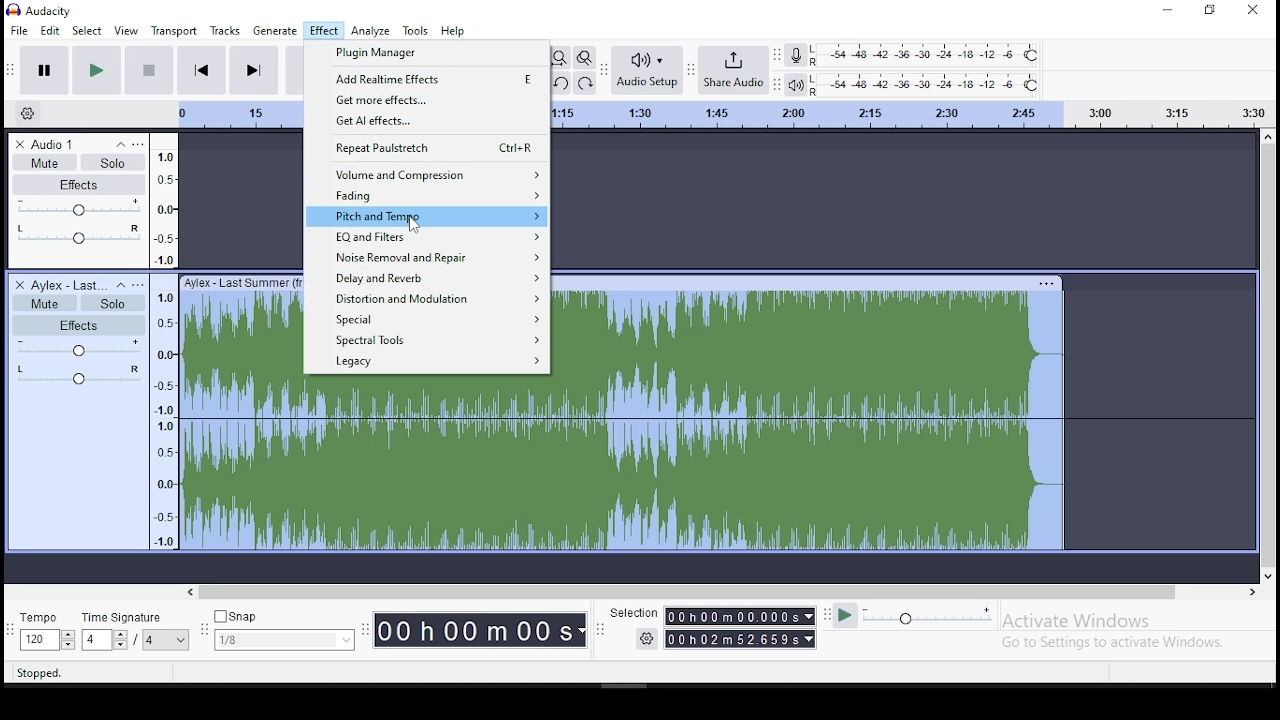 The height and width of the screenshot is (720, 1280). What do you see at coordinates (83, 350) in the screenshot?
I see `volume` at bounding box center [83, 350].